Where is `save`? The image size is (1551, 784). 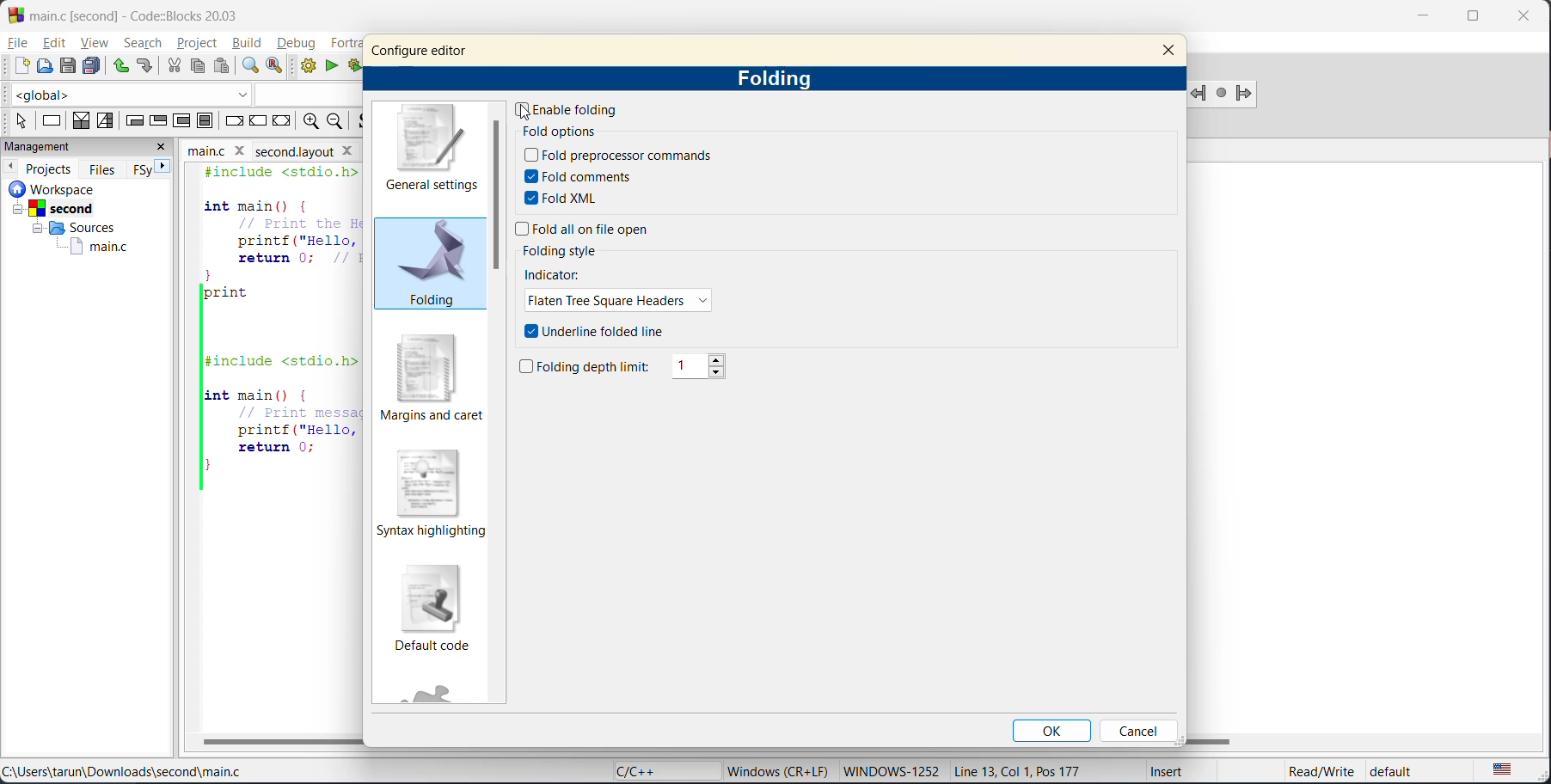
save is located at coordinates (68, 65).